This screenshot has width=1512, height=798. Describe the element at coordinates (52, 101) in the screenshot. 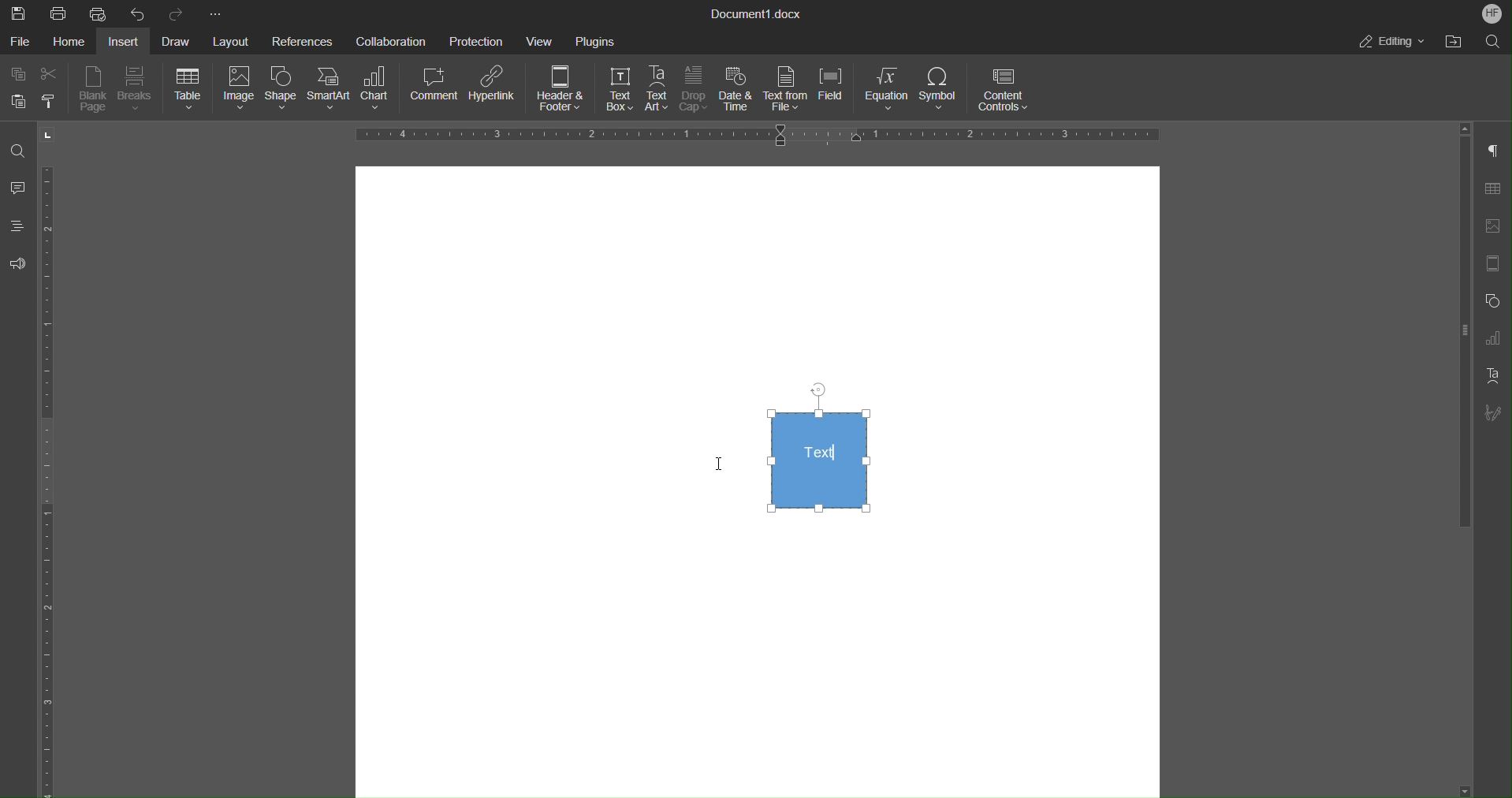

I see `Copy Style` at that location.